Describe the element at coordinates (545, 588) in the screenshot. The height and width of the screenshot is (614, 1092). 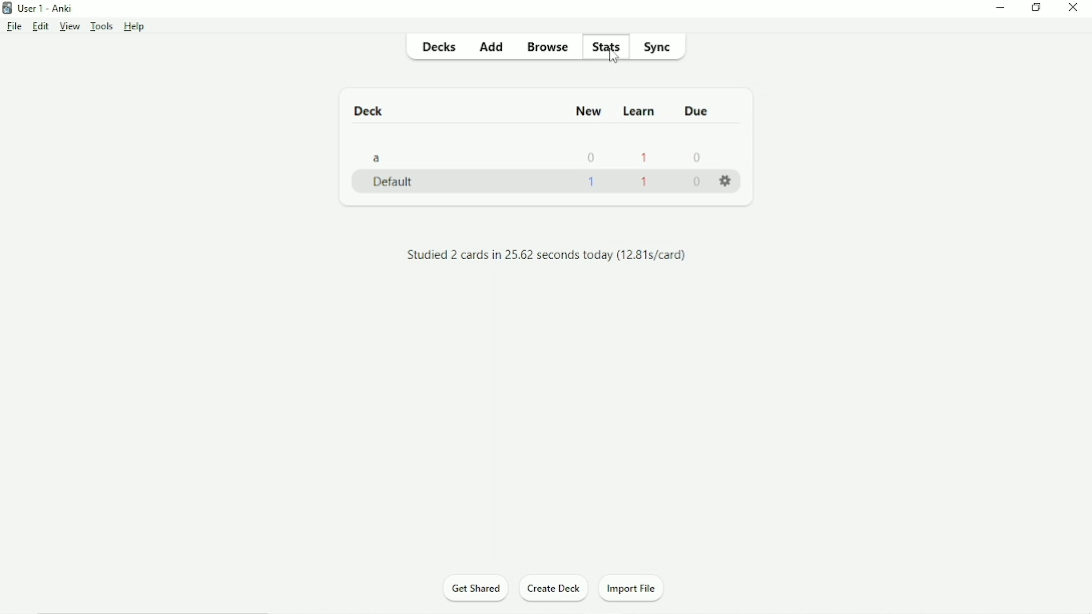
I see `Create deck` at that location.